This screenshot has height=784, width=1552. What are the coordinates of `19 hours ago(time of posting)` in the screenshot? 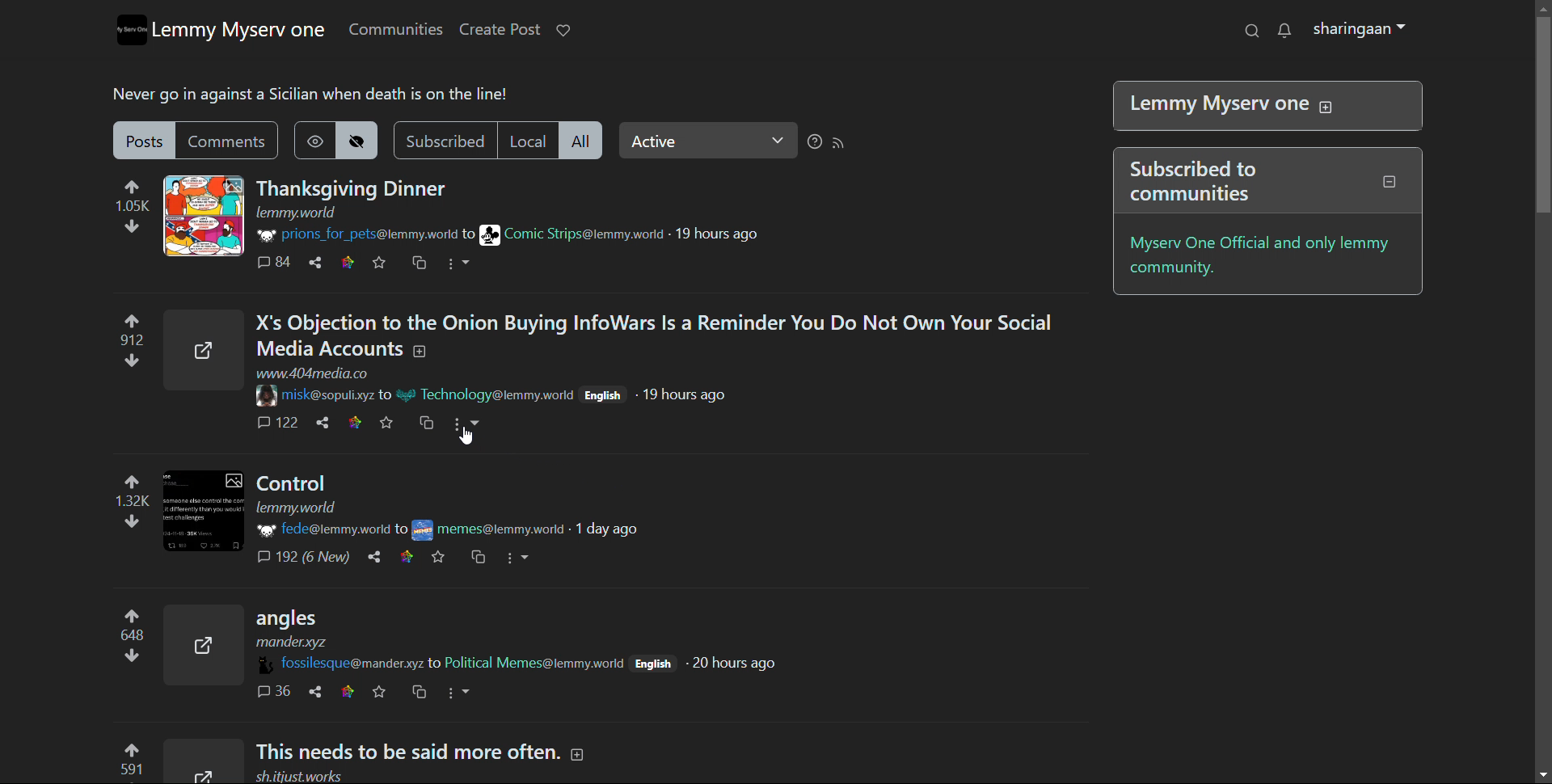 It's located at (718, 233).